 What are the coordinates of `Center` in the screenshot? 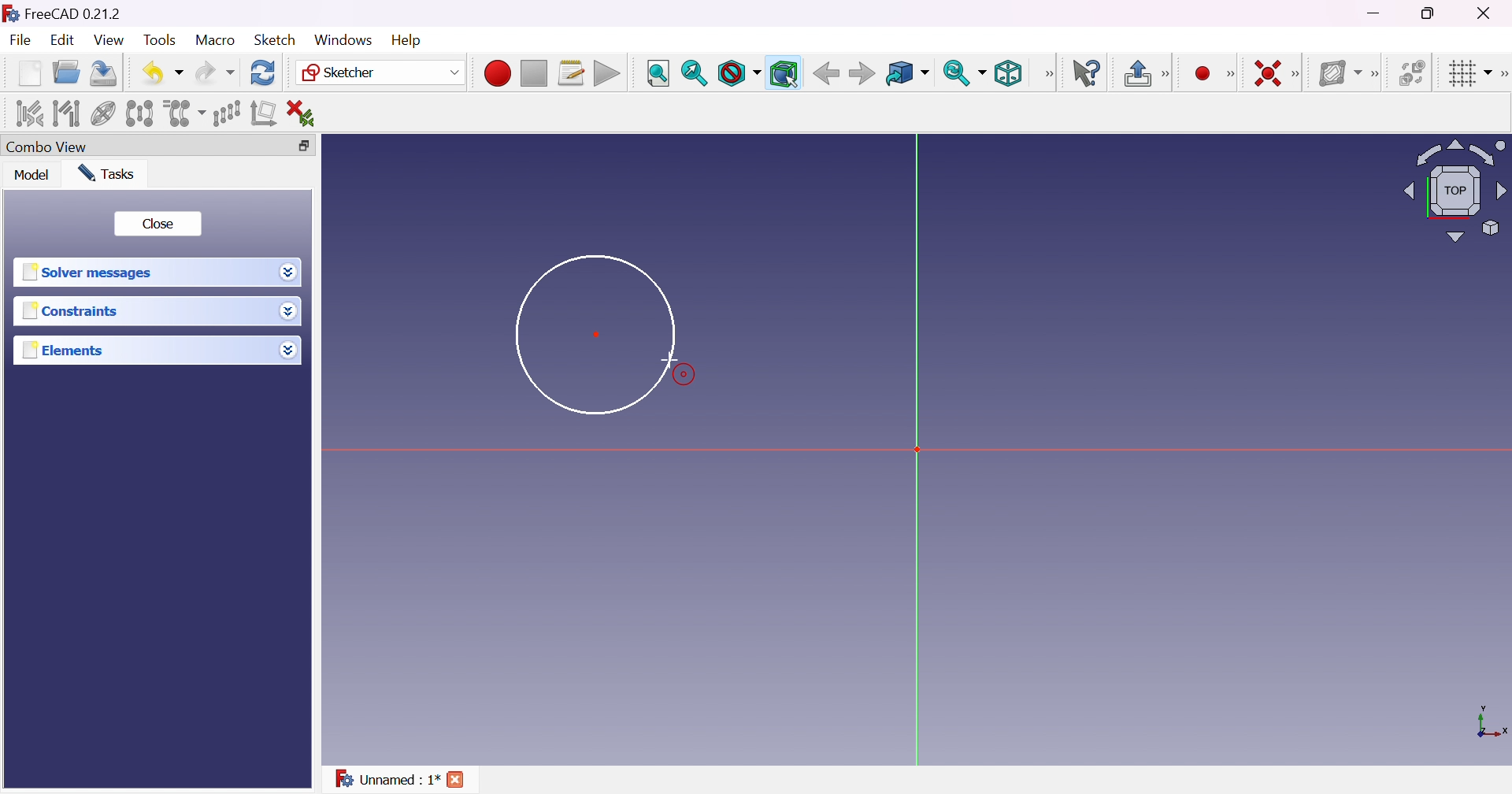 It's located at (598, 333).